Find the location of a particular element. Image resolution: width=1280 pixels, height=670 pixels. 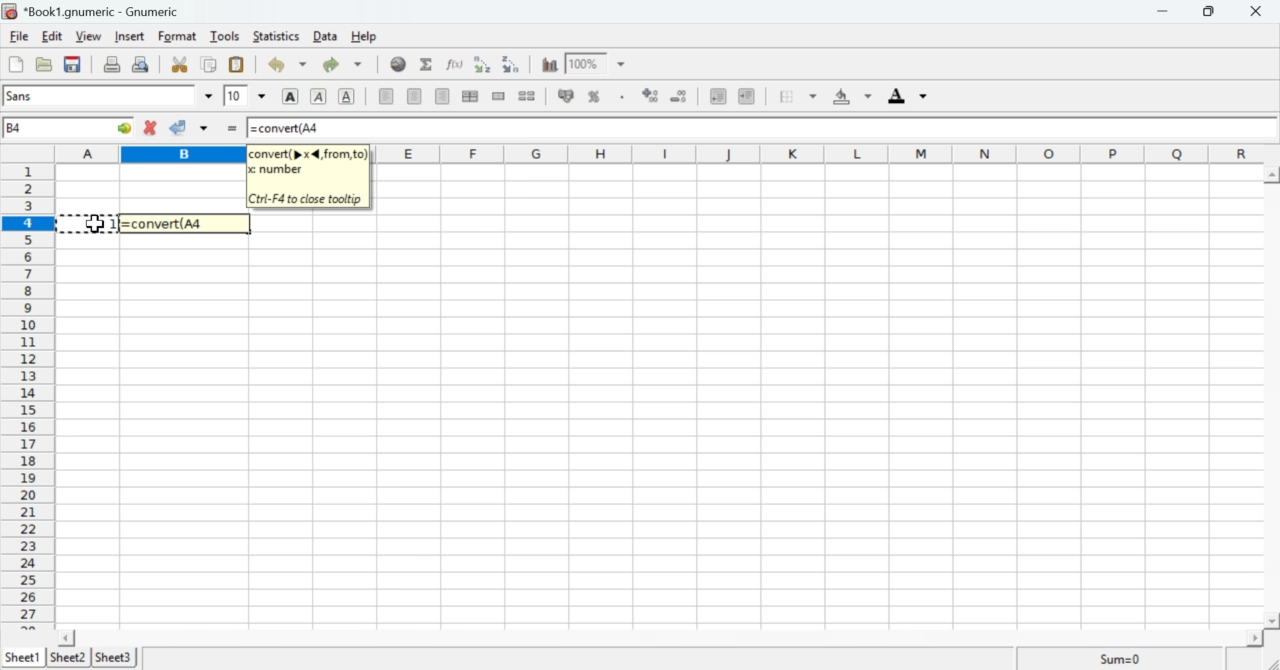

Sort by ascending is located at coordinates (648, 97).